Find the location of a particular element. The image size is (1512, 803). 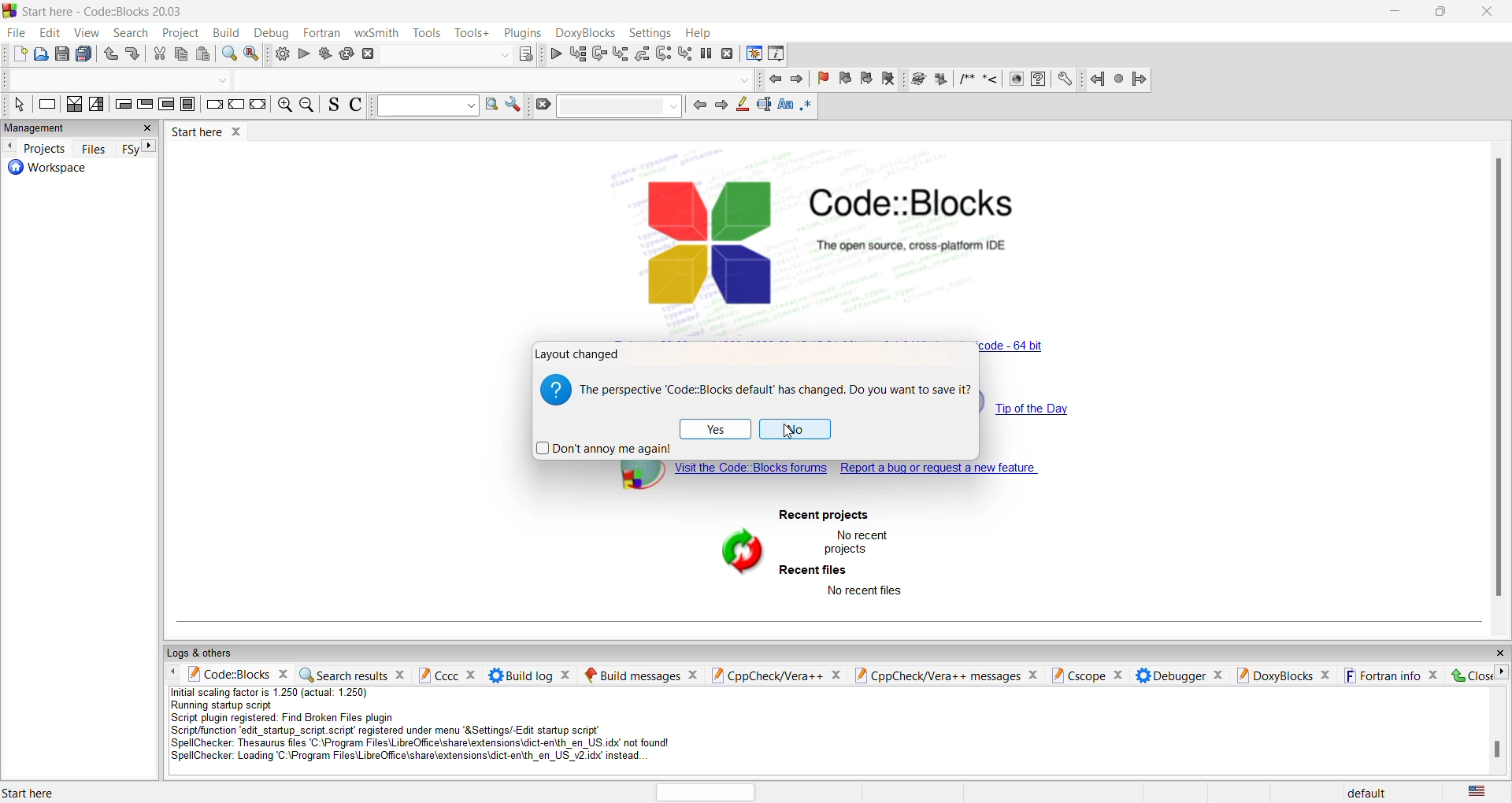

Layout changed is located at coordinates (580, 354).